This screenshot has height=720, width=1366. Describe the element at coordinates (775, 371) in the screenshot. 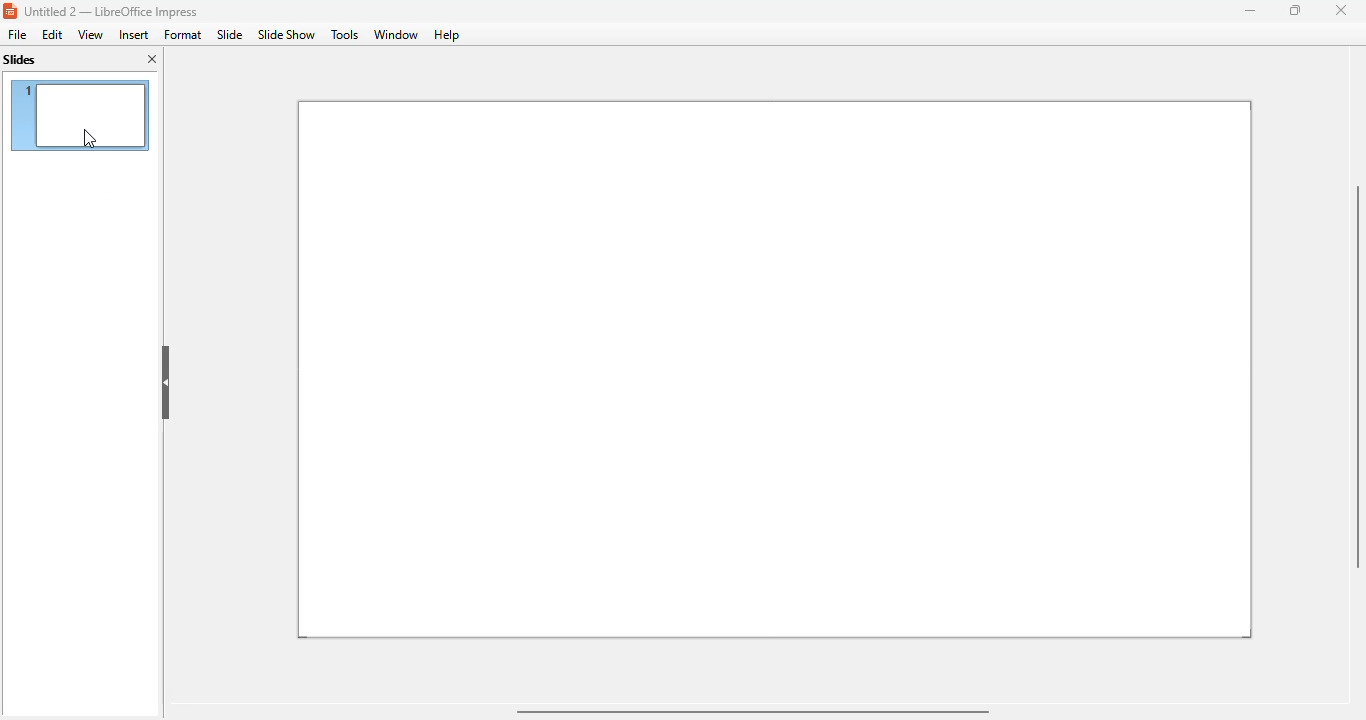

I see `slide 1` at that location.